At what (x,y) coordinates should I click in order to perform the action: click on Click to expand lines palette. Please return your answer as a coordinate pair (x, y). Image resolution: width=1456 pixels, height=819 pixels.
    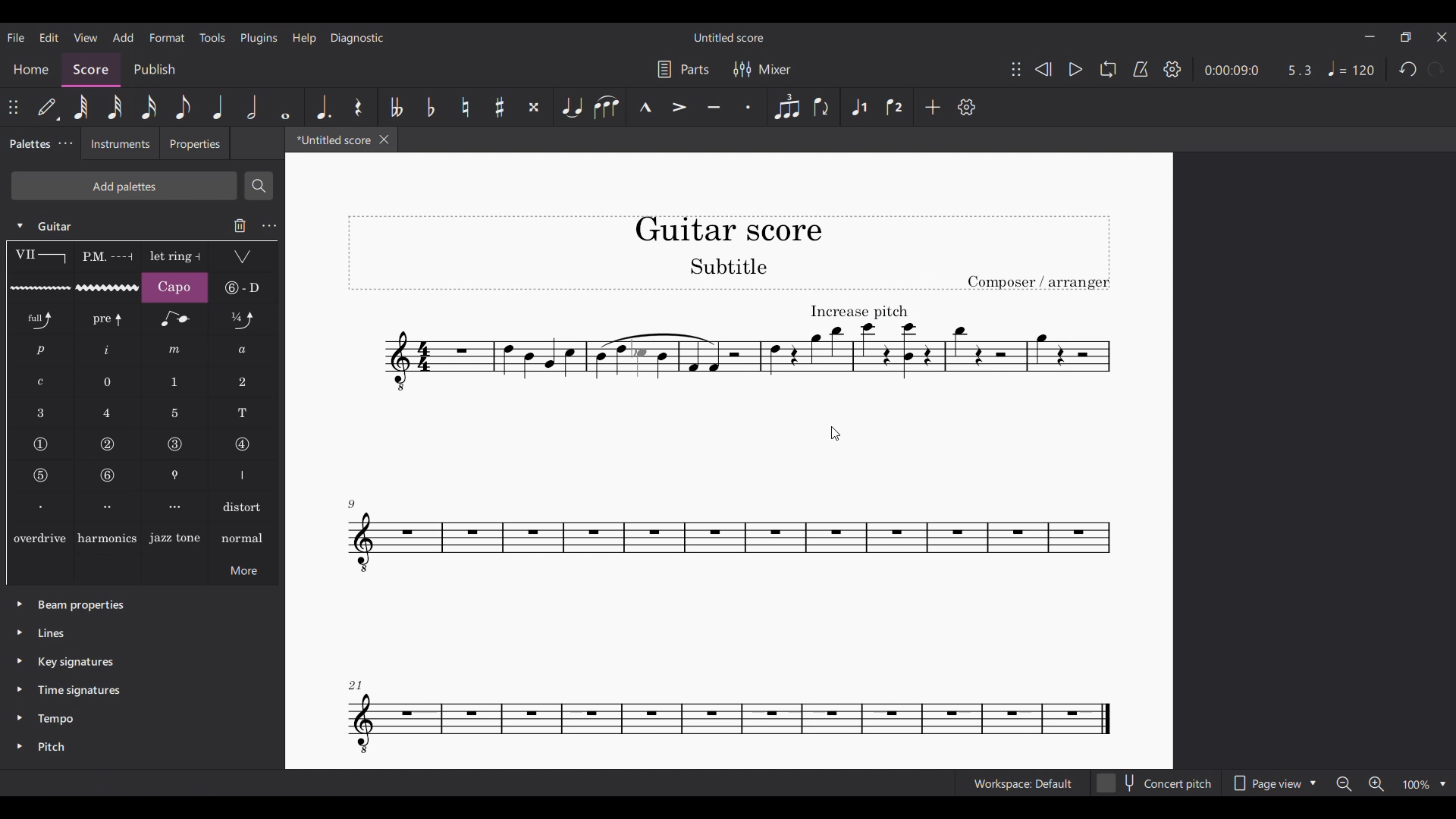
    Looking at the image, I should click on (19, 632).